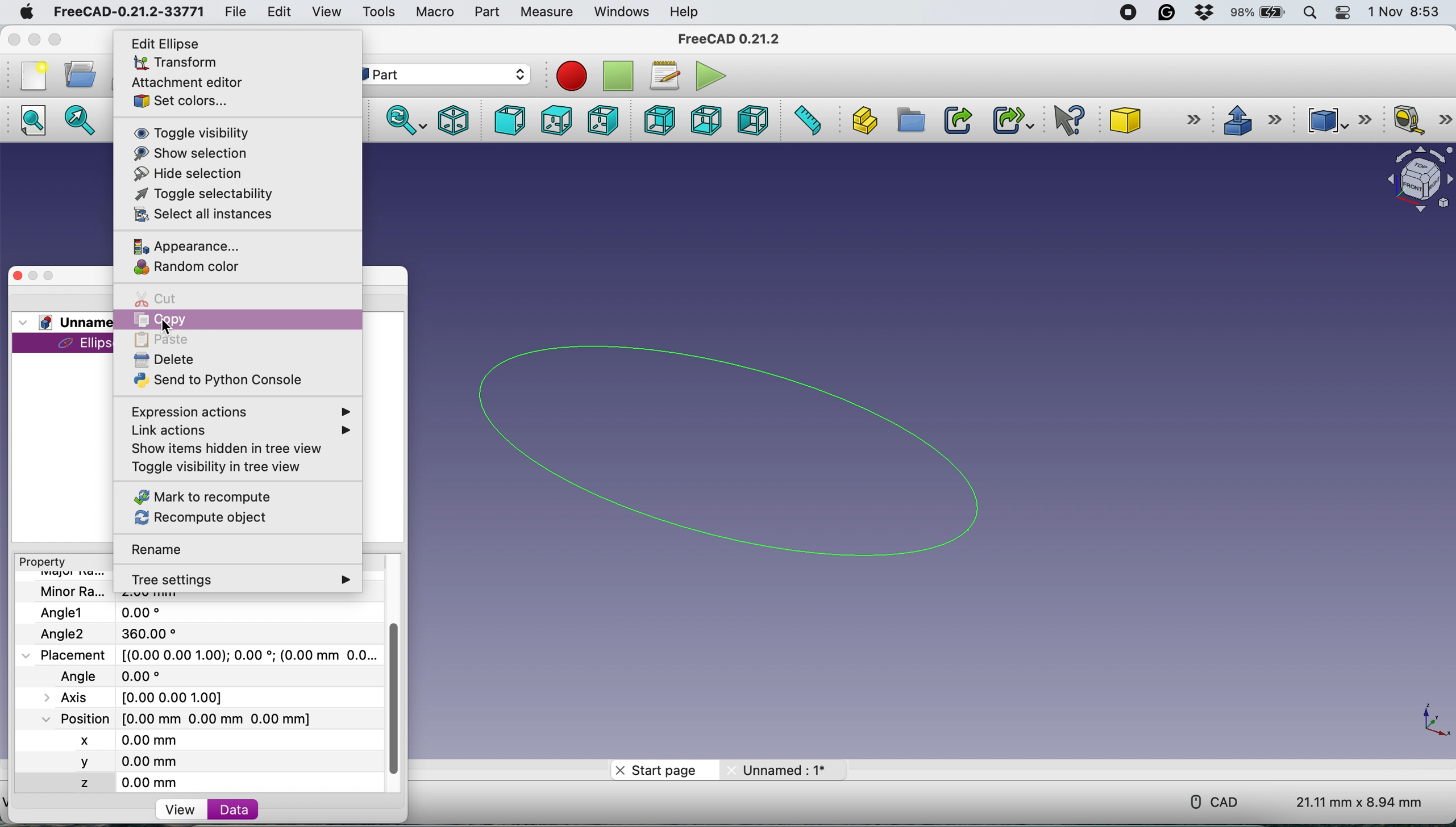  I want to click on measure distance, so click(802, 121).